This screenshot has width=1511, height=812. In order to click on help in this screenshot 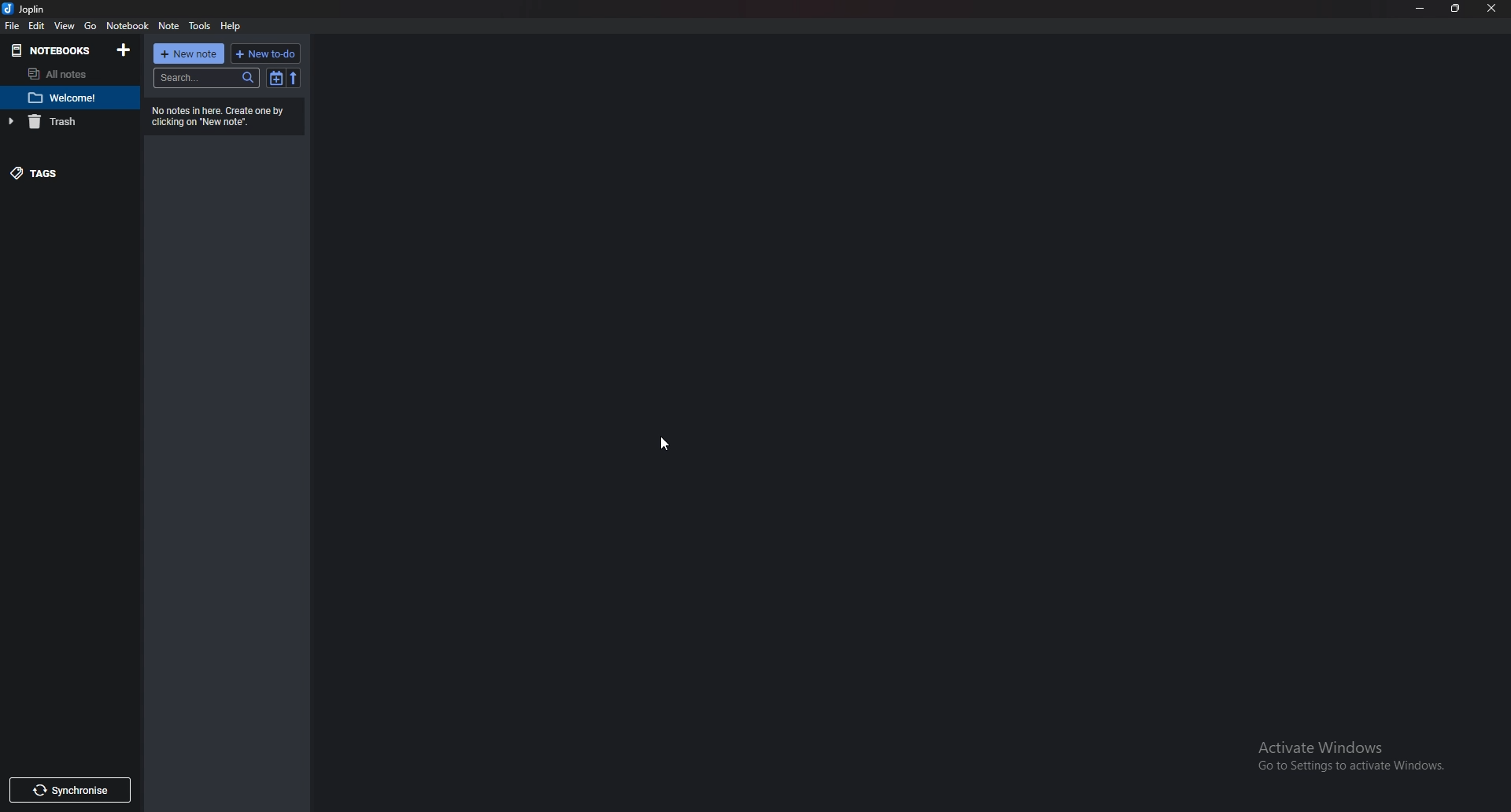, I will do `click(231, 26)`.